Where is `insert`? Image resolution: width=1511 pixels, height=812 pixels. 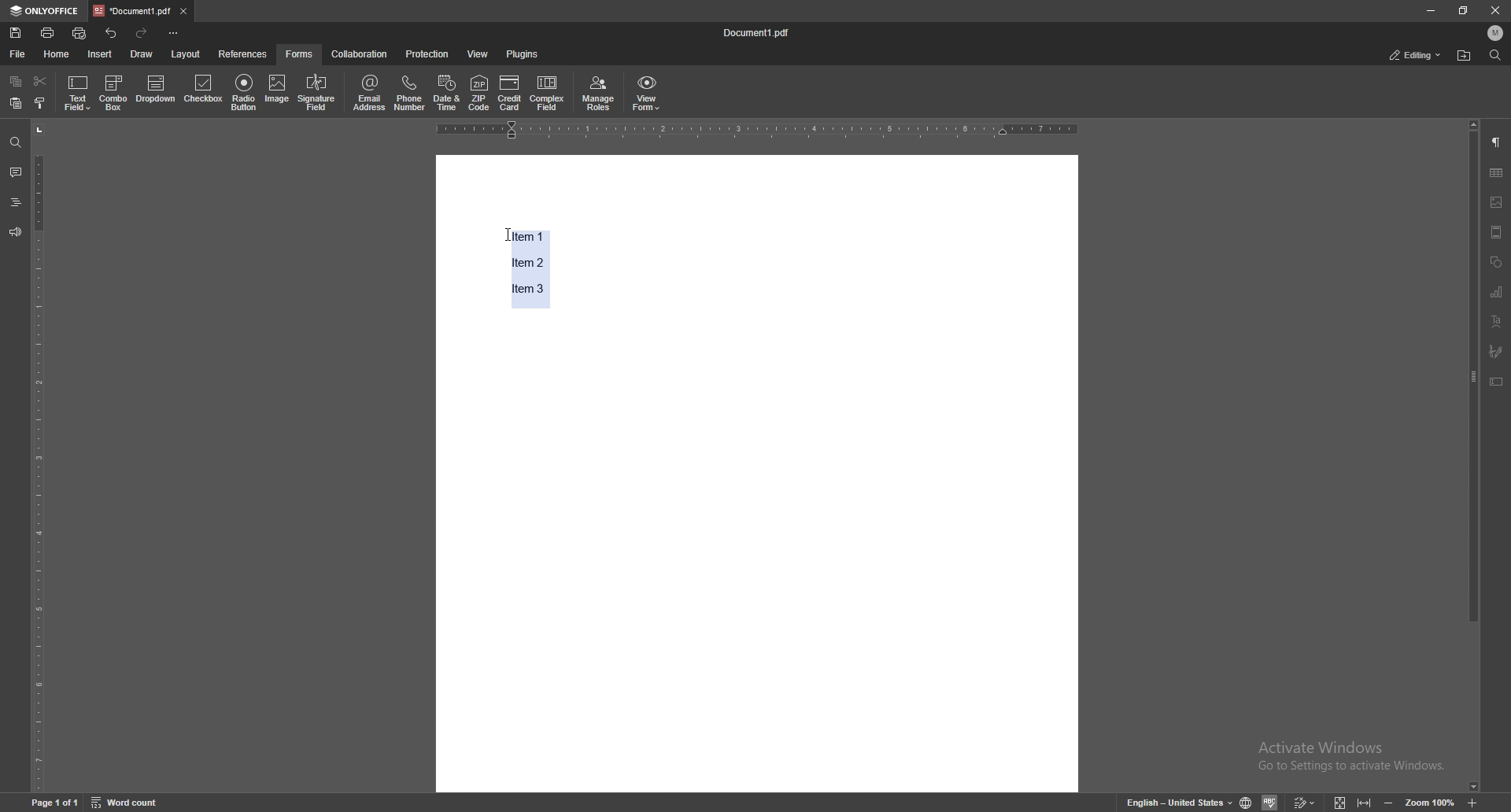 insert is located at coordinates (101, 54).